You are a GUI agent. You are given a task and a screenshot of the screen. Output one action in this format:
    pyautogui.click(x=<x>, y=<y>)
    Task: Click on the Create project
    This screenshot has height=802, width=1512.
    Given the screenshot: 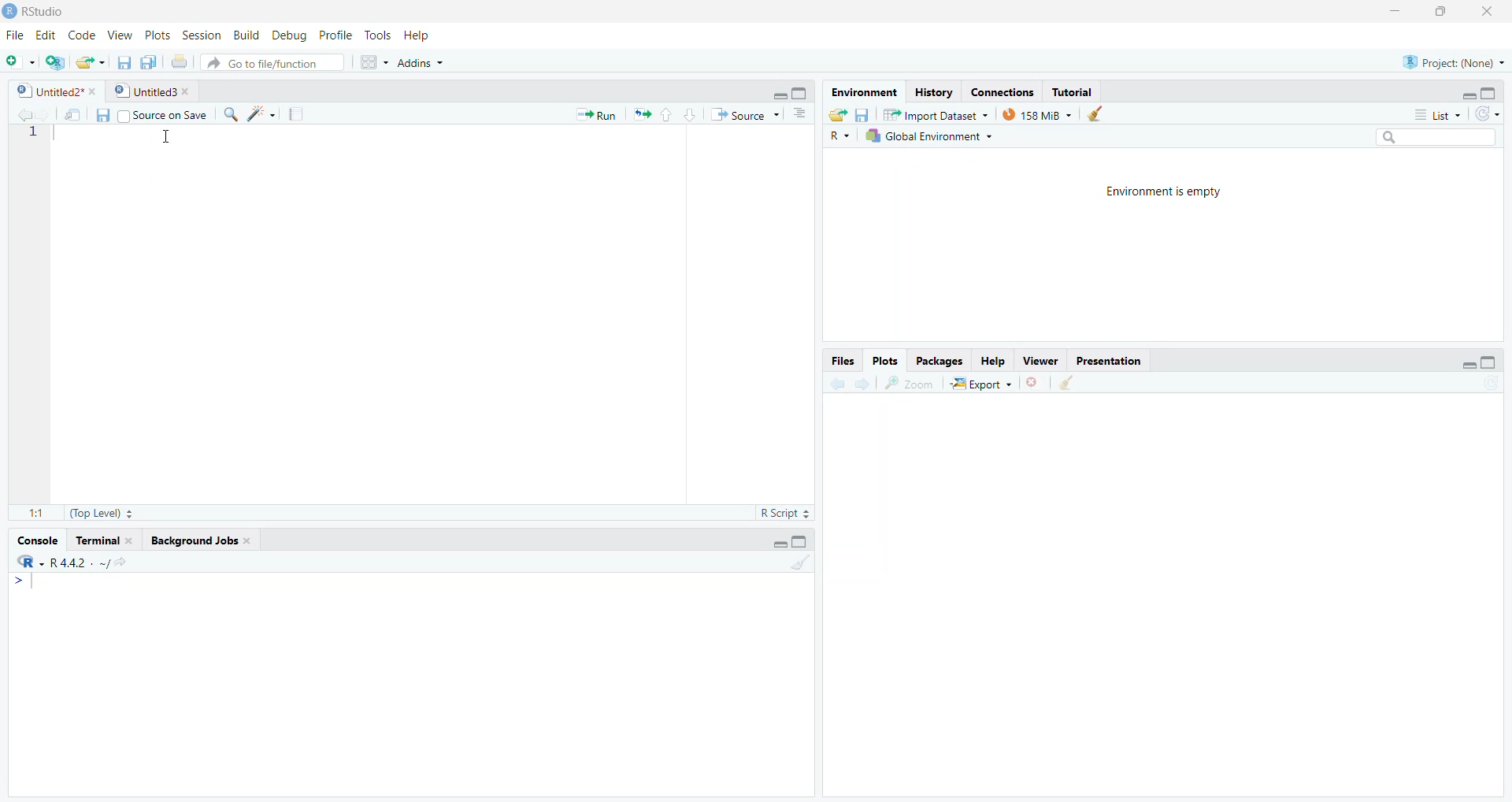 What is the action you would take?
    pyautogui.click(x=56, y=62)
    